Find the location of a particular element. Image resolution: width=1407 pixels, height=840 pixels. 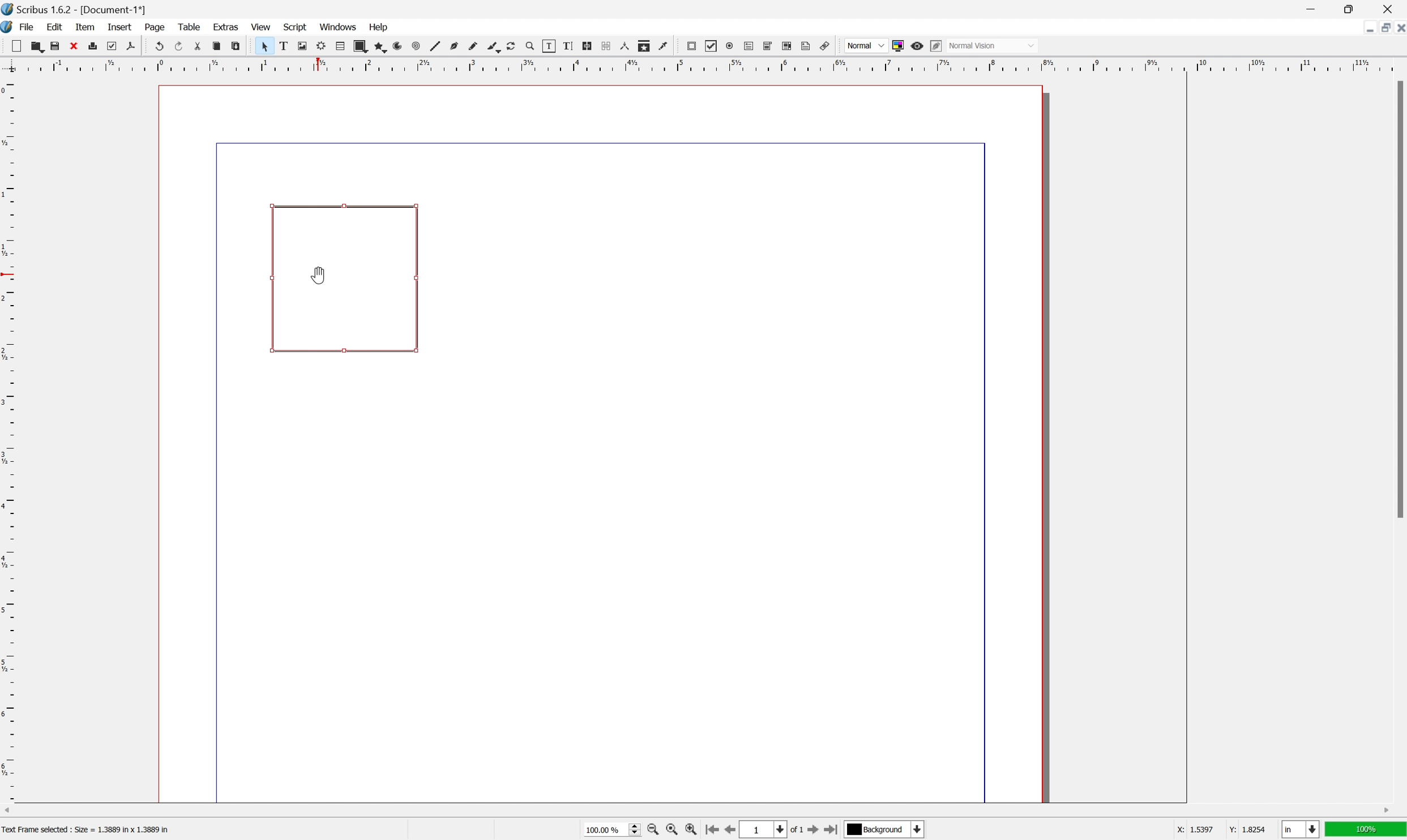

zoom in is located at coordinates (692, 831).